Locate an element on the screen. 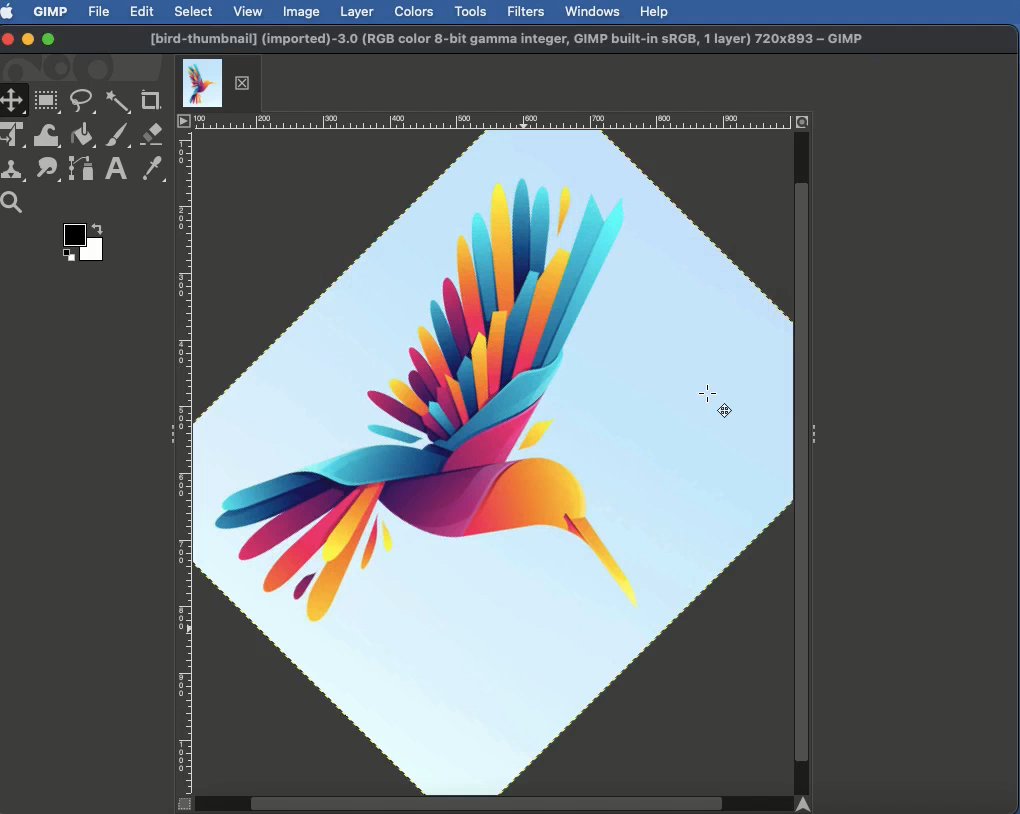 The height and width of the screenshot is (814, 1020). Fuzzy selector is located at coordinates (118, 103).